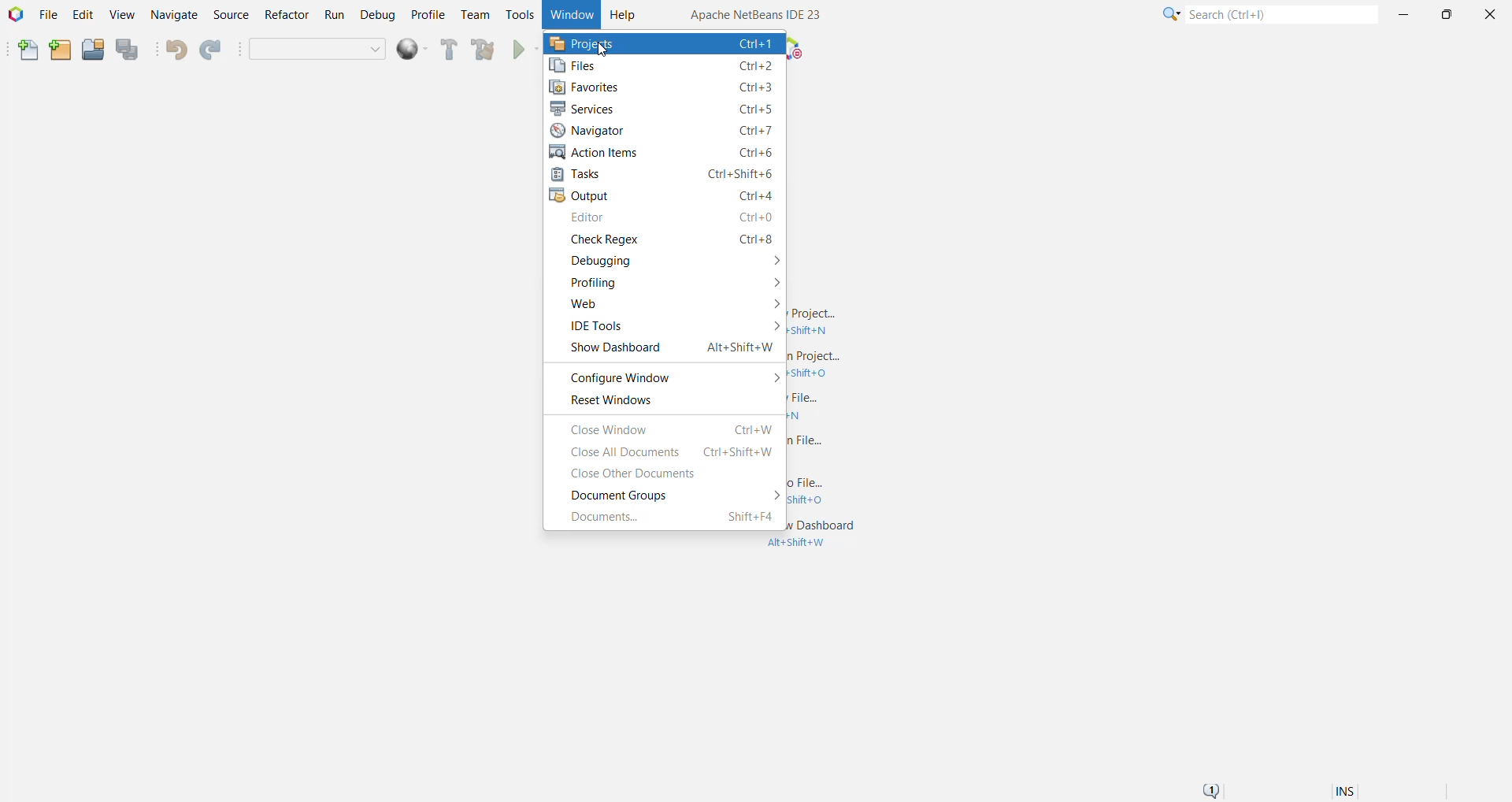 This screenshot has height=802, width=1512. What do you see at coordinates (415, 50) in the screenshot?
I see `` at bounding box center [415, 50].